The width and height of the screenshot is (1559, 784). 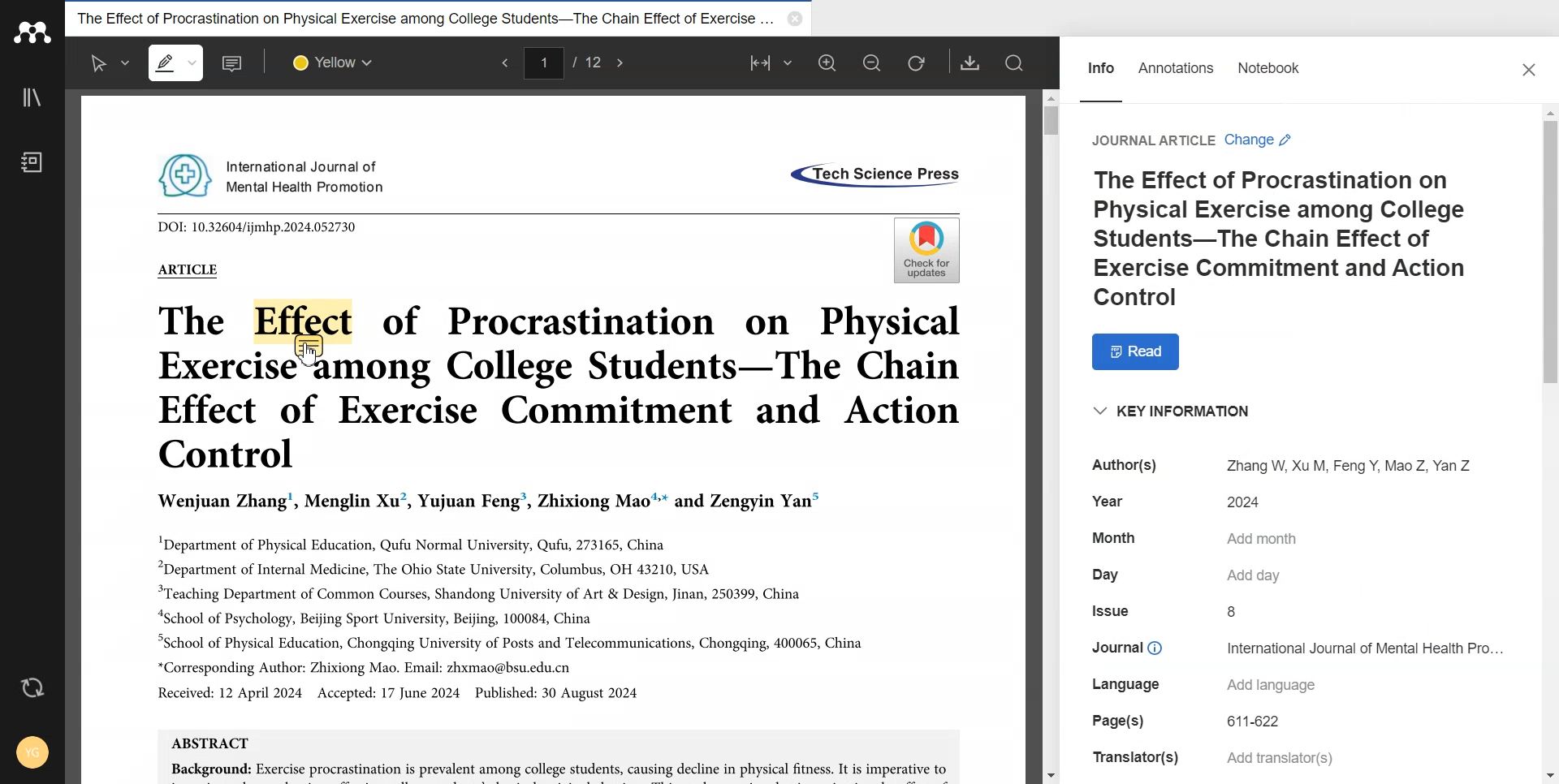 I want to click on Day Add day, so click(x=1187, y=575).